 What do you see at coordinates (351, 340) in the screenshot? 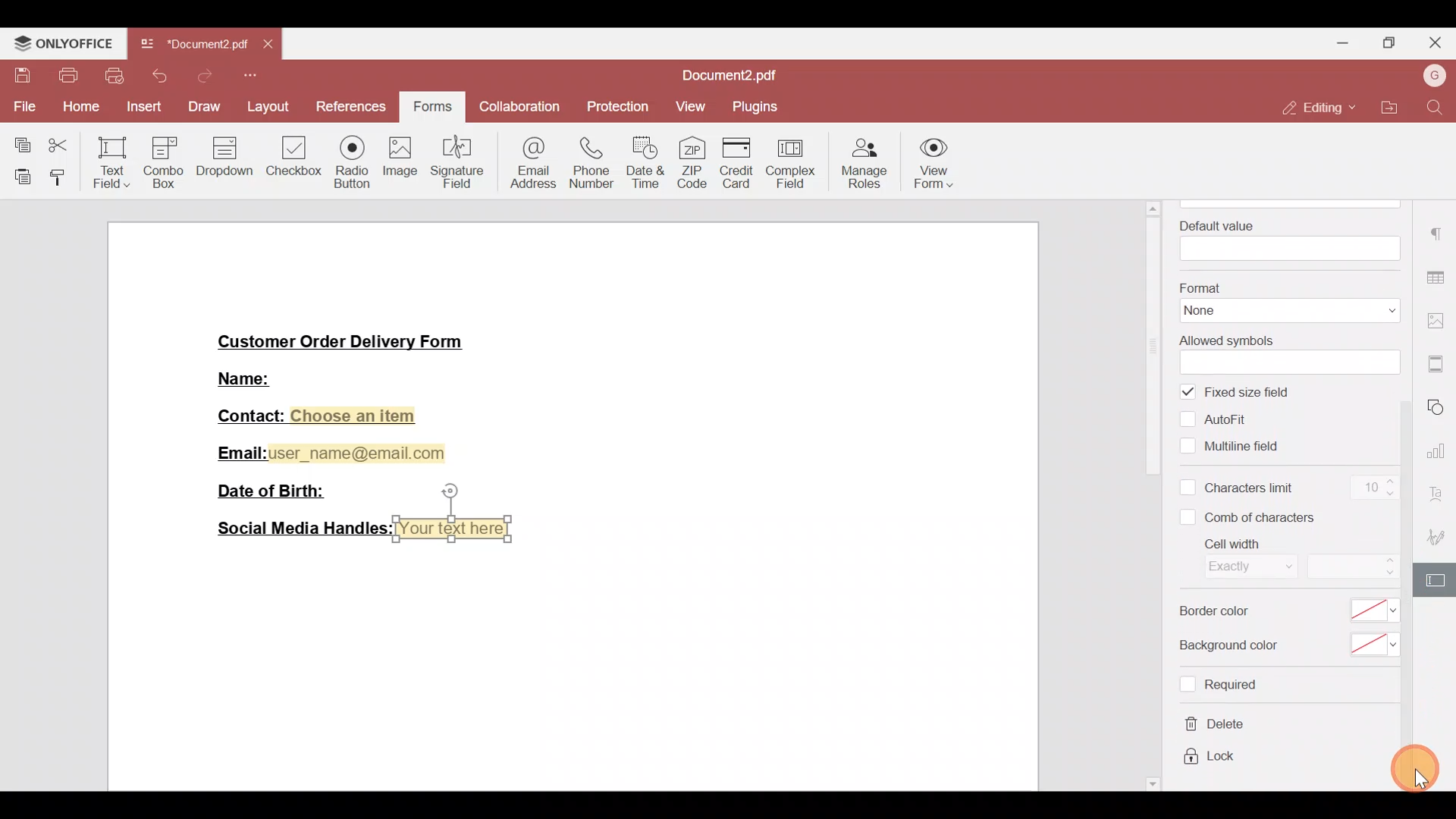
I see `Customer Order Delivery Form` at bounding box center [351, 340].